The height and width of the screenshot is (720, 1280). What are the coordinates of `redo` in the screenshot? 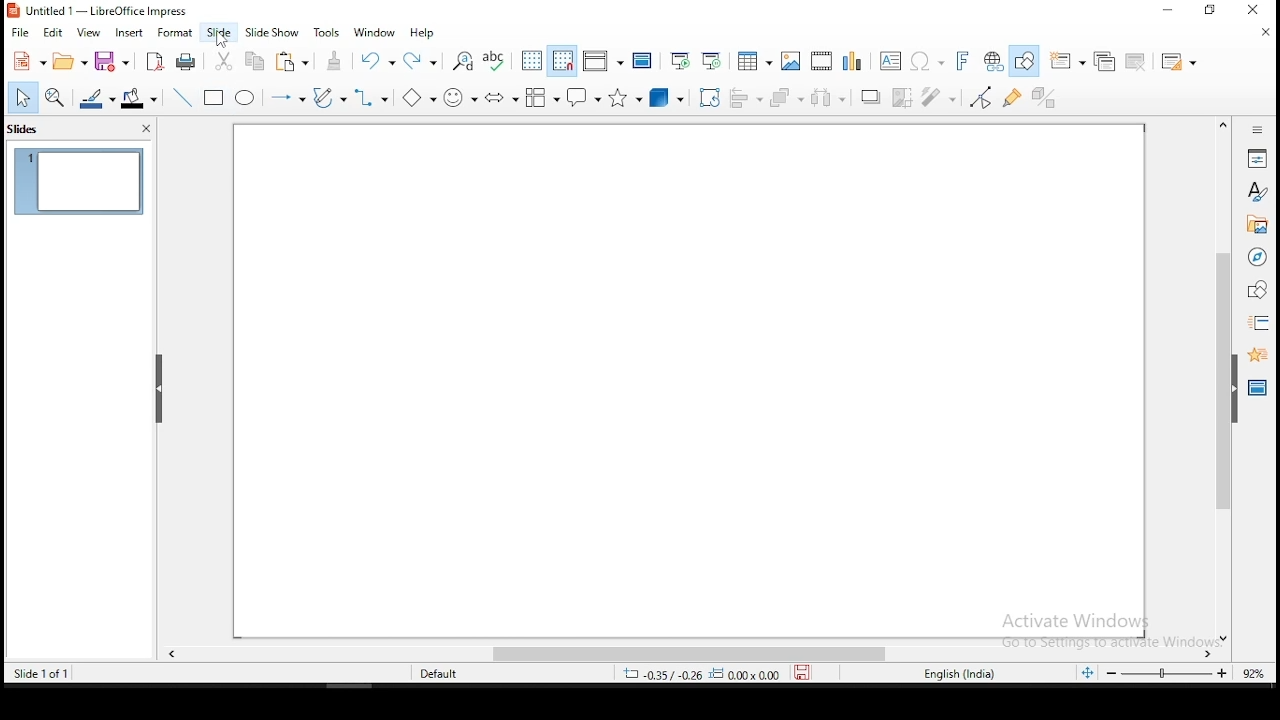 It's located at (421, 62).